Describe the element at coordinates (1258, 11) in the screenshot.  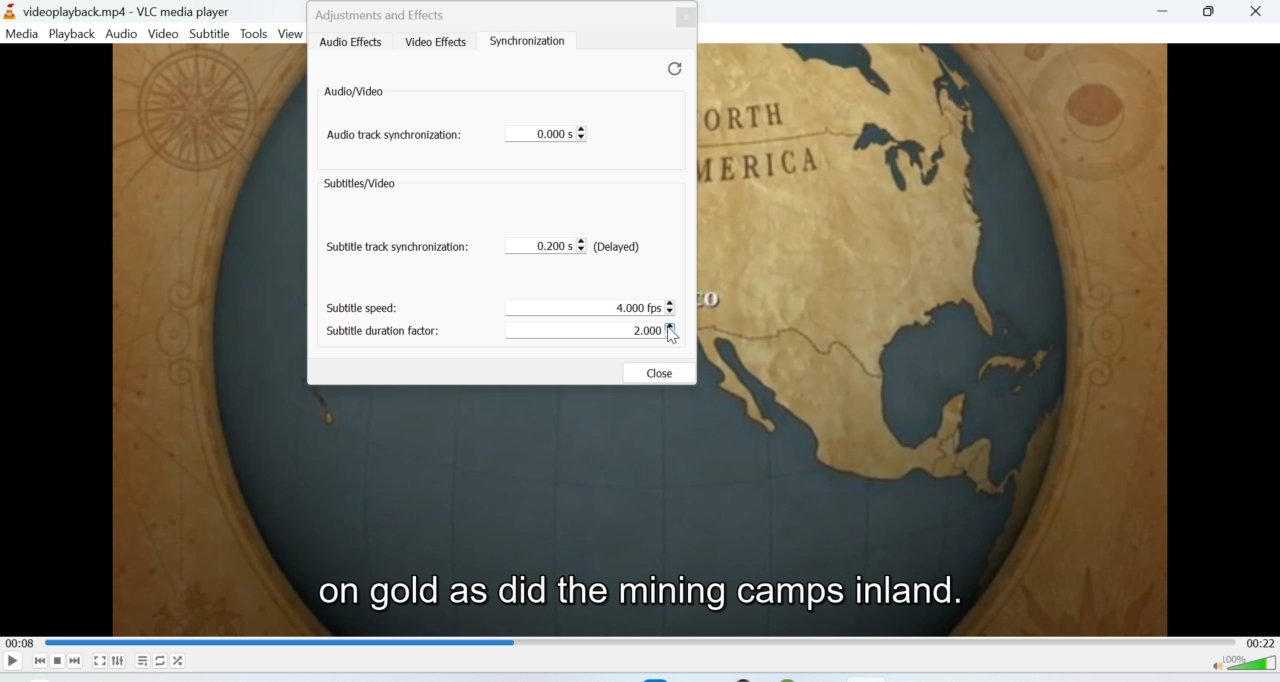
I see `Close` at that location.